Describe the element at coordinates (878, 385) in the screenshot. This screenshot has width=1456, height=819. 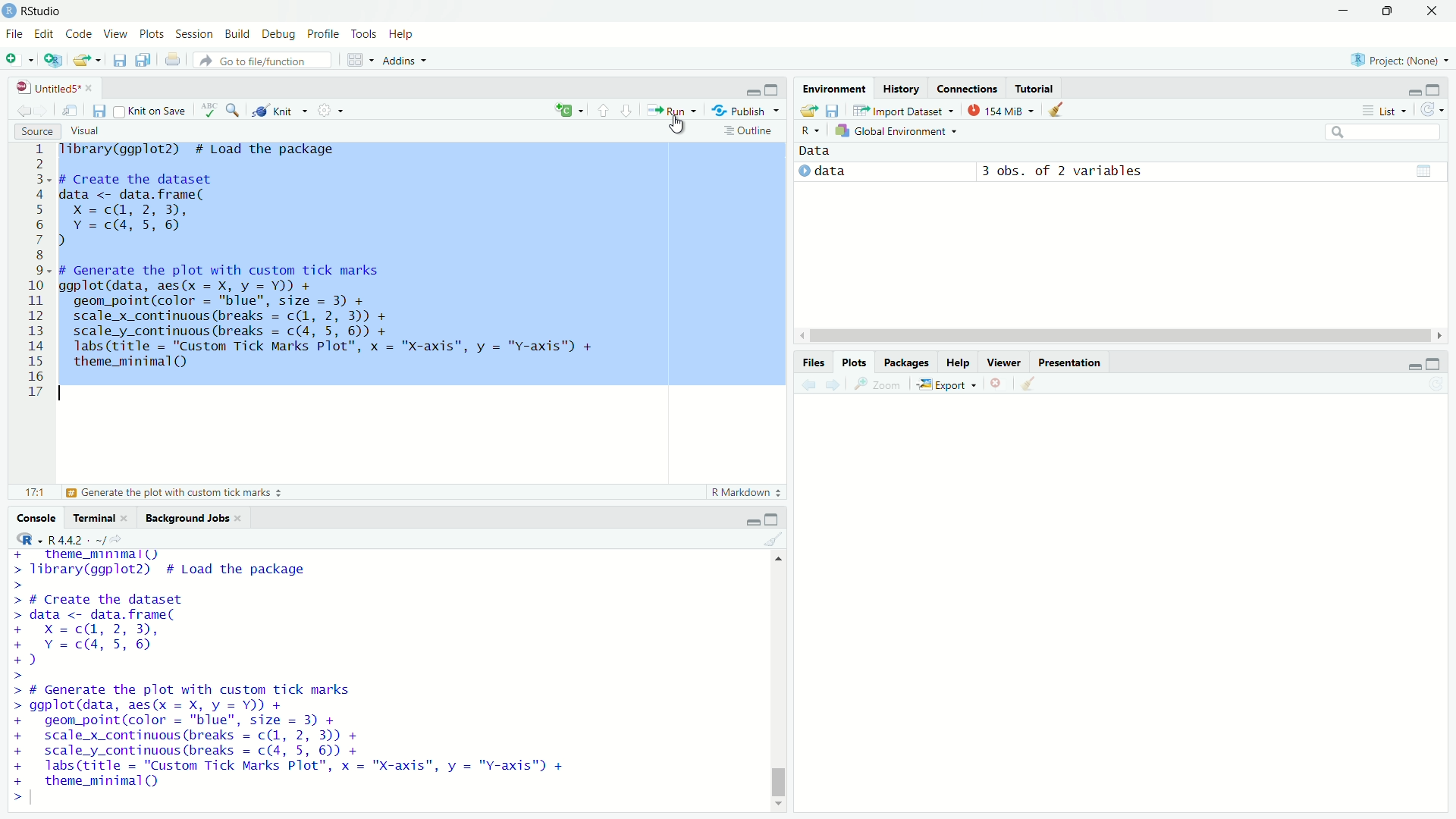
I see `view a larger version of the plot in new window ` at that location.